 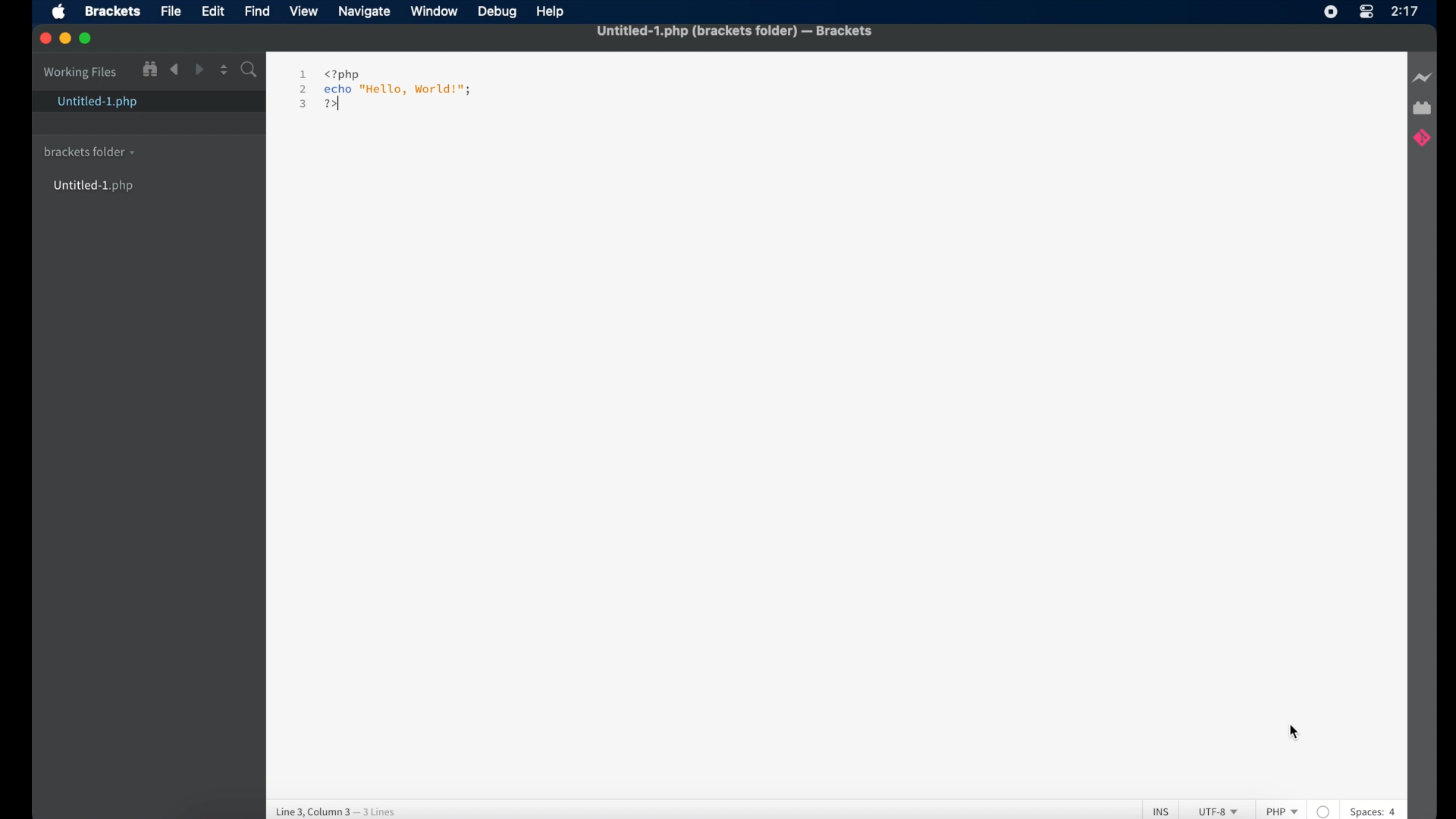 I want to click on untitled-1 ph, so click(x=96, y=187).